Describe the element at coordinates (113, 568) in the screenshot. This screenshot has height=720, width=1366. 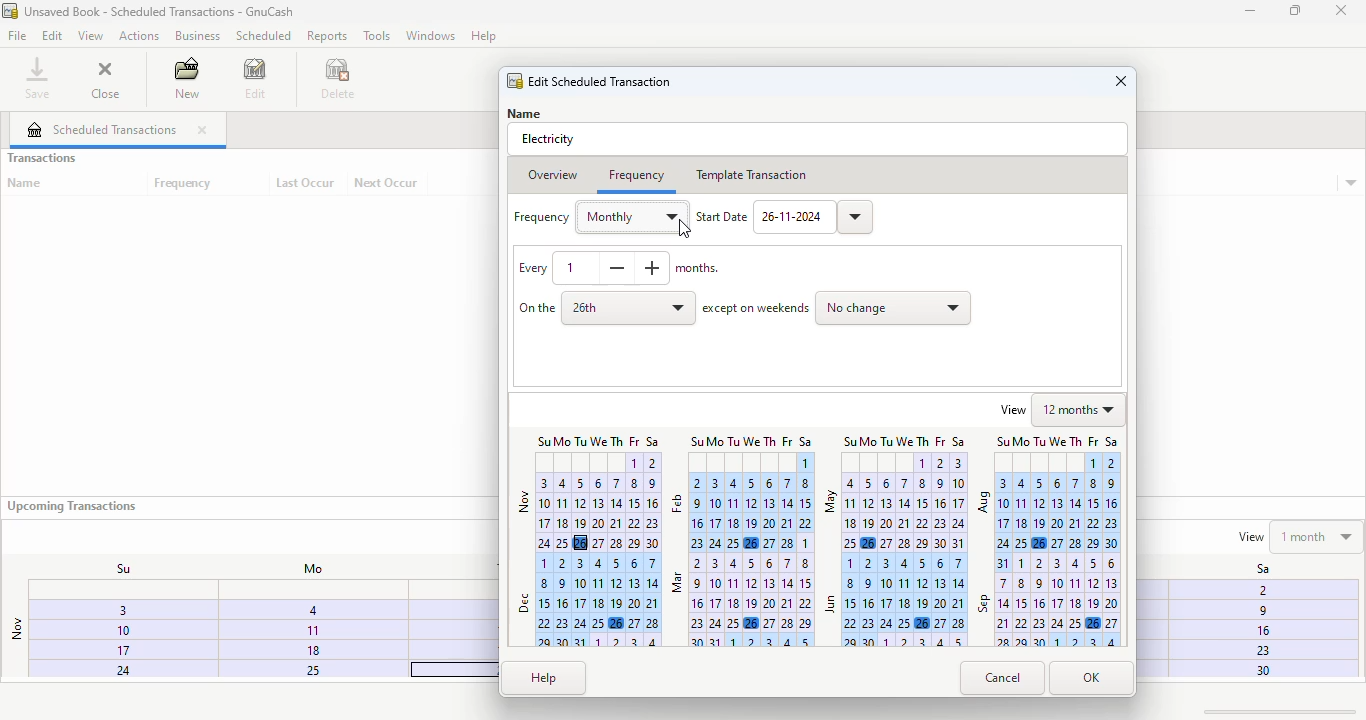
I see `Su` at that location.